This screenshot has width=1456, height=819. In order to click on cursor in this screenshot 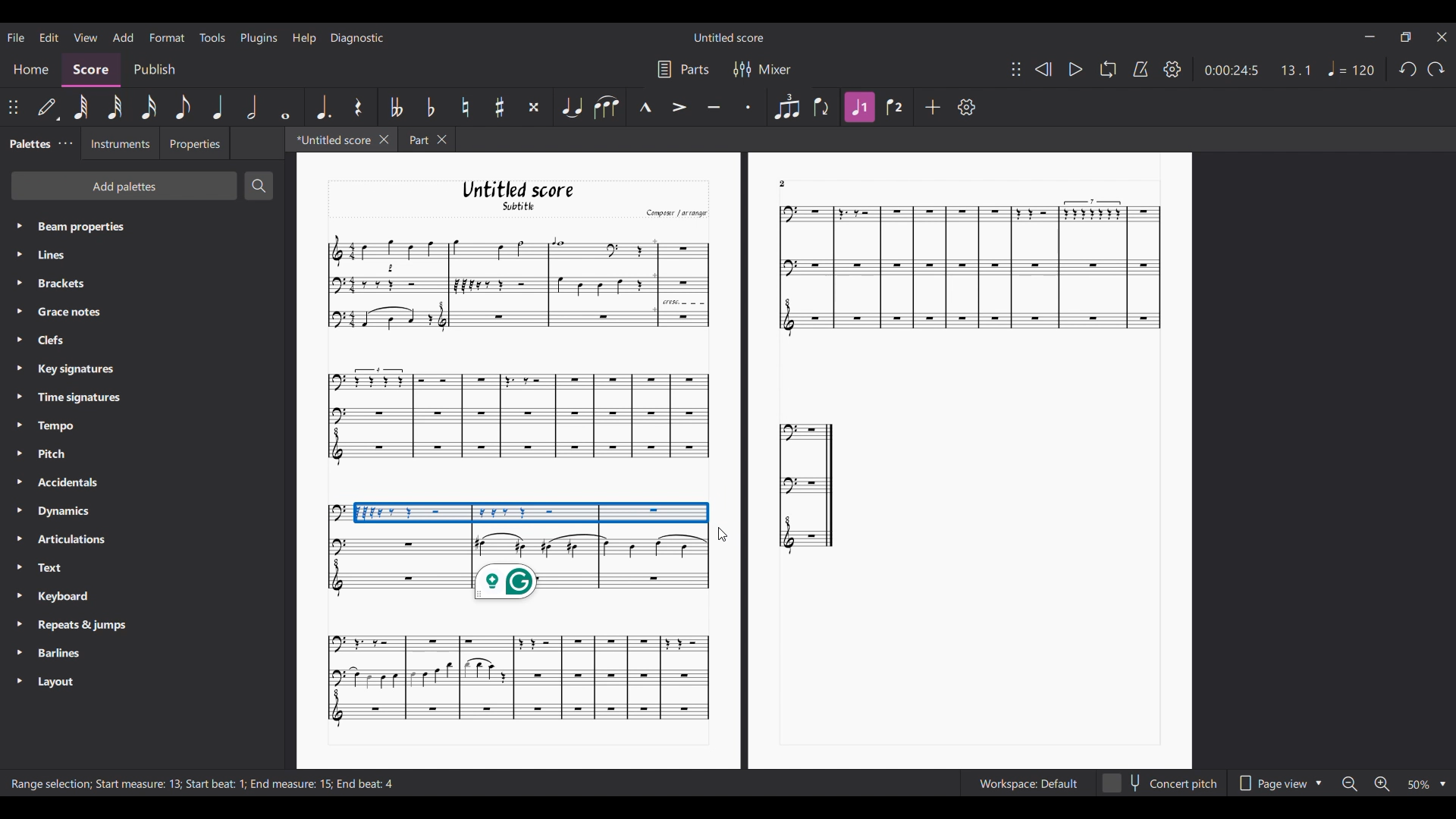, I will do `click(724, 536)`.